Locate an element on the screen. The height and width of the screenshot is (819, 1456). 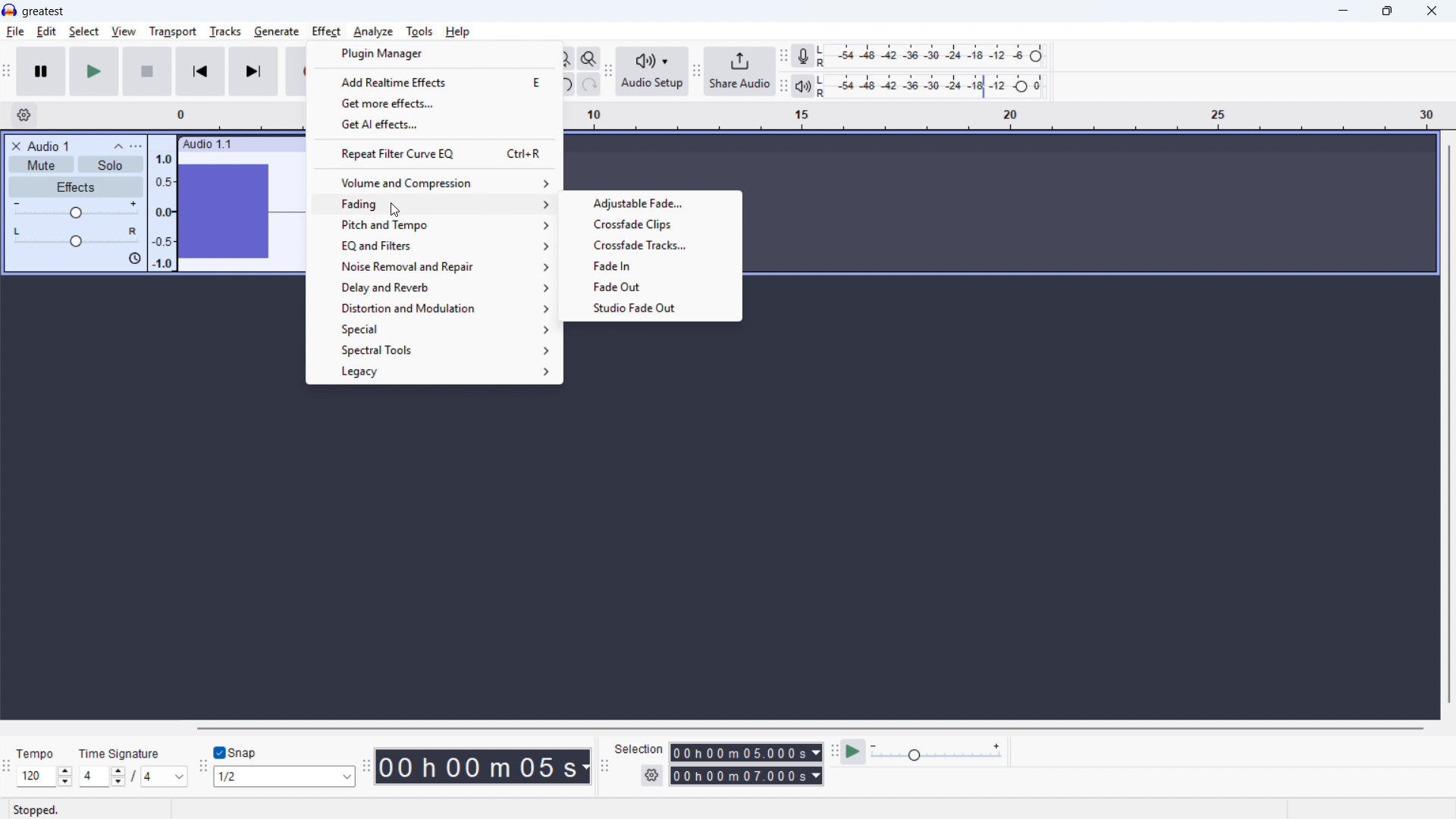
Pan: Centre  is located at coordinates (76, 238).